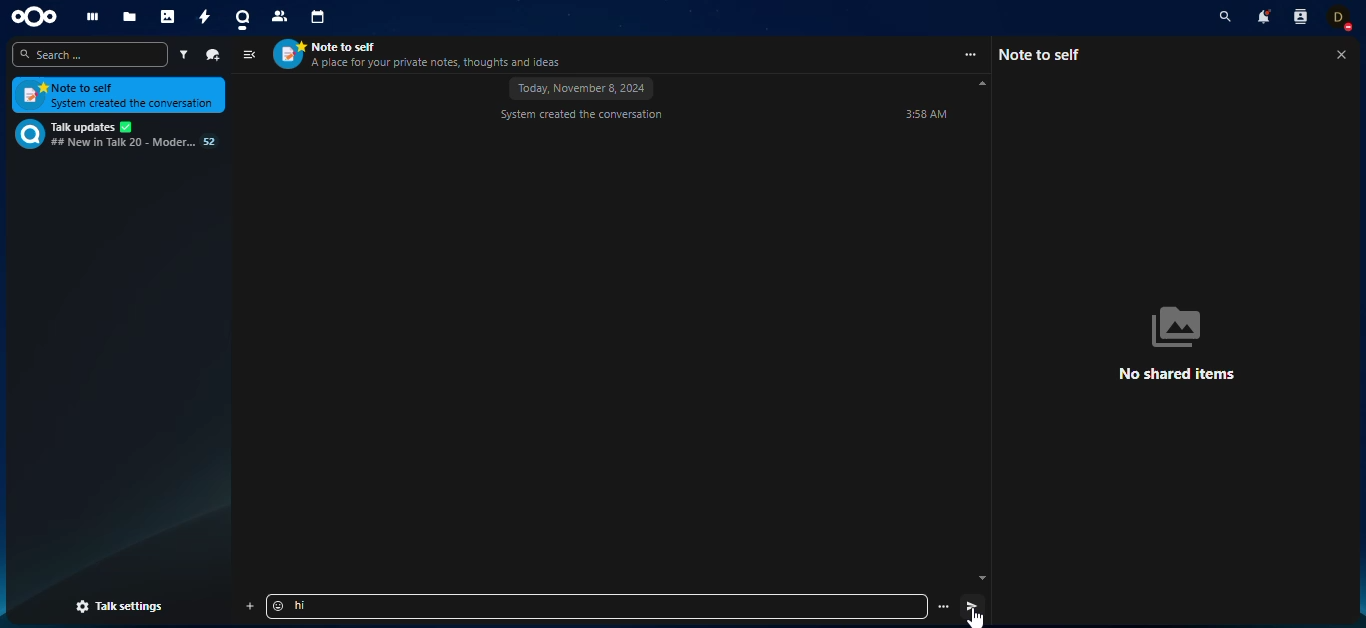 The height and width of the screenshot is (628, 1366). What do you see at coordinates (1221, 17) in the screenshot?
I see `search` at bounding box center [1221, 17].